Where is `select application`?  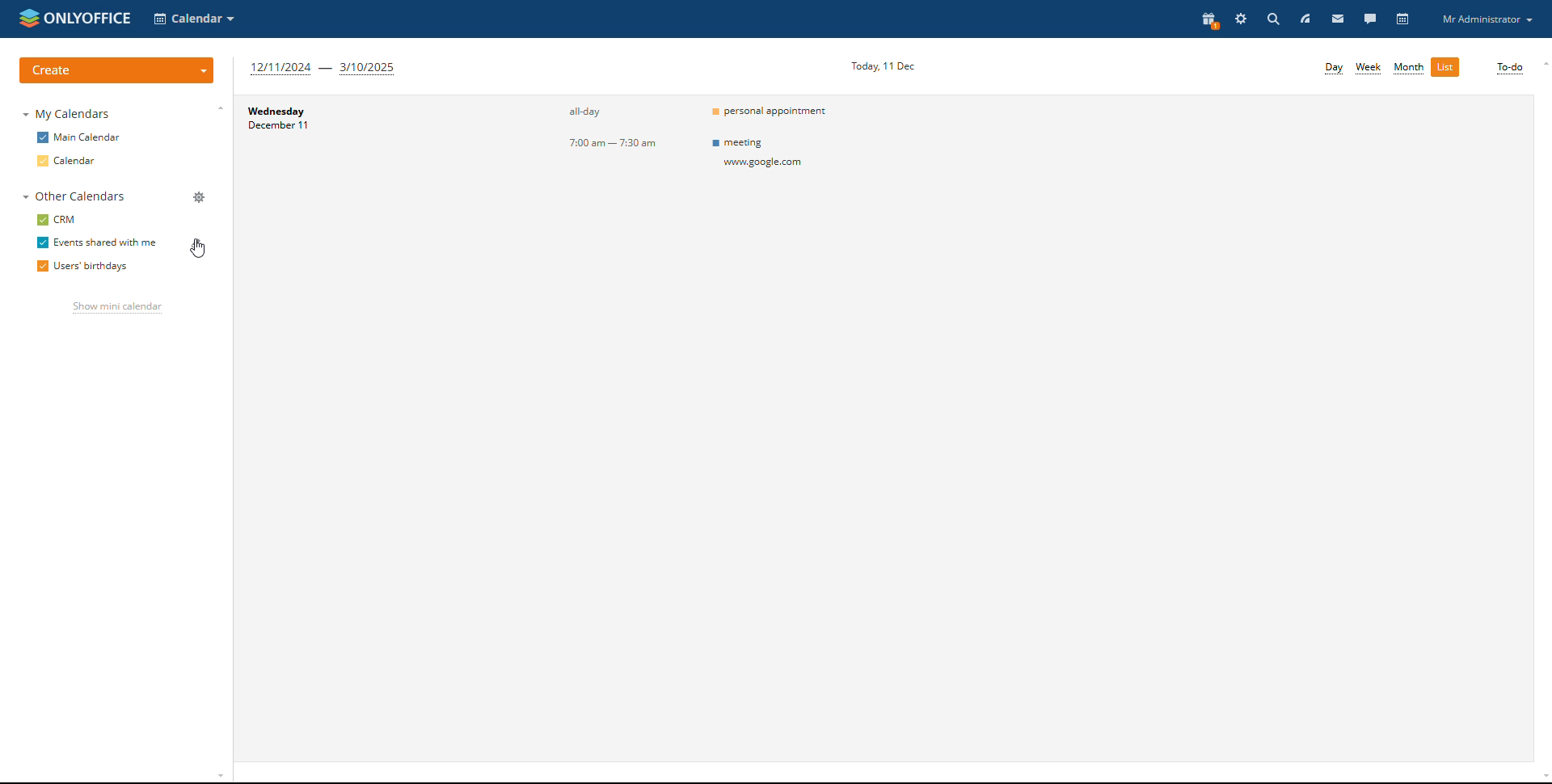 select application is located at coordinates (194, 18).